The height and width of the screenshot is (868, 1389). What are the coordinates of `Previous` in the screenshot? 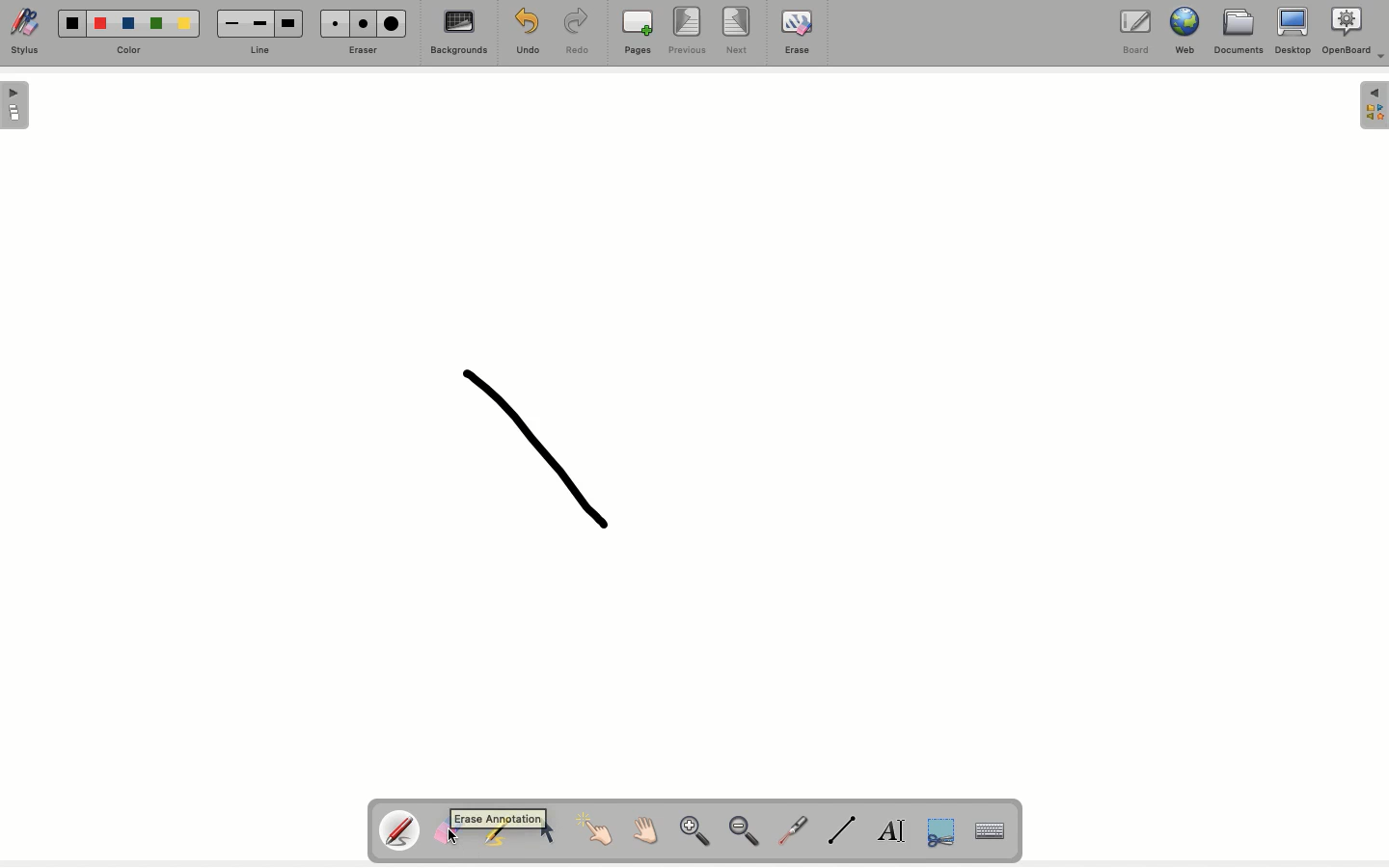 It's located at (690, 33).